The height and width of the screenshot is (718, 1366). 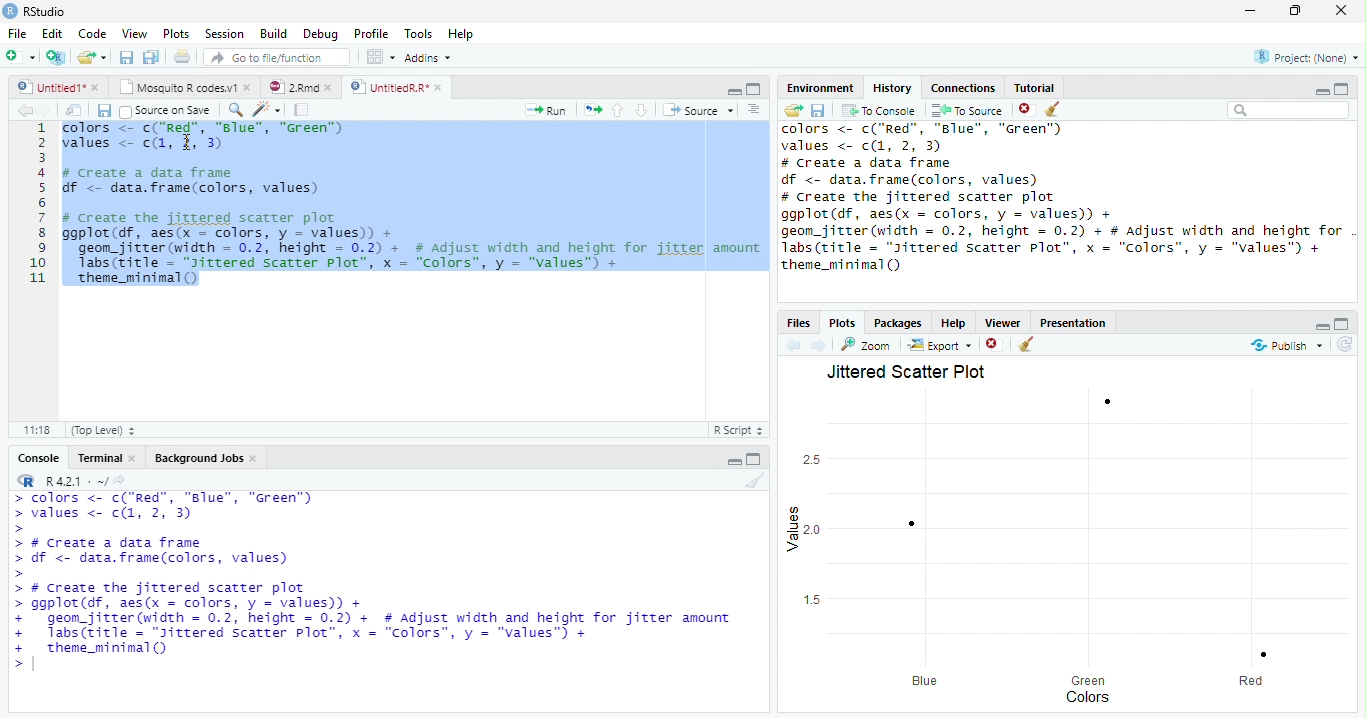 I want to click on Show in new window, so click(x=73, y=111).